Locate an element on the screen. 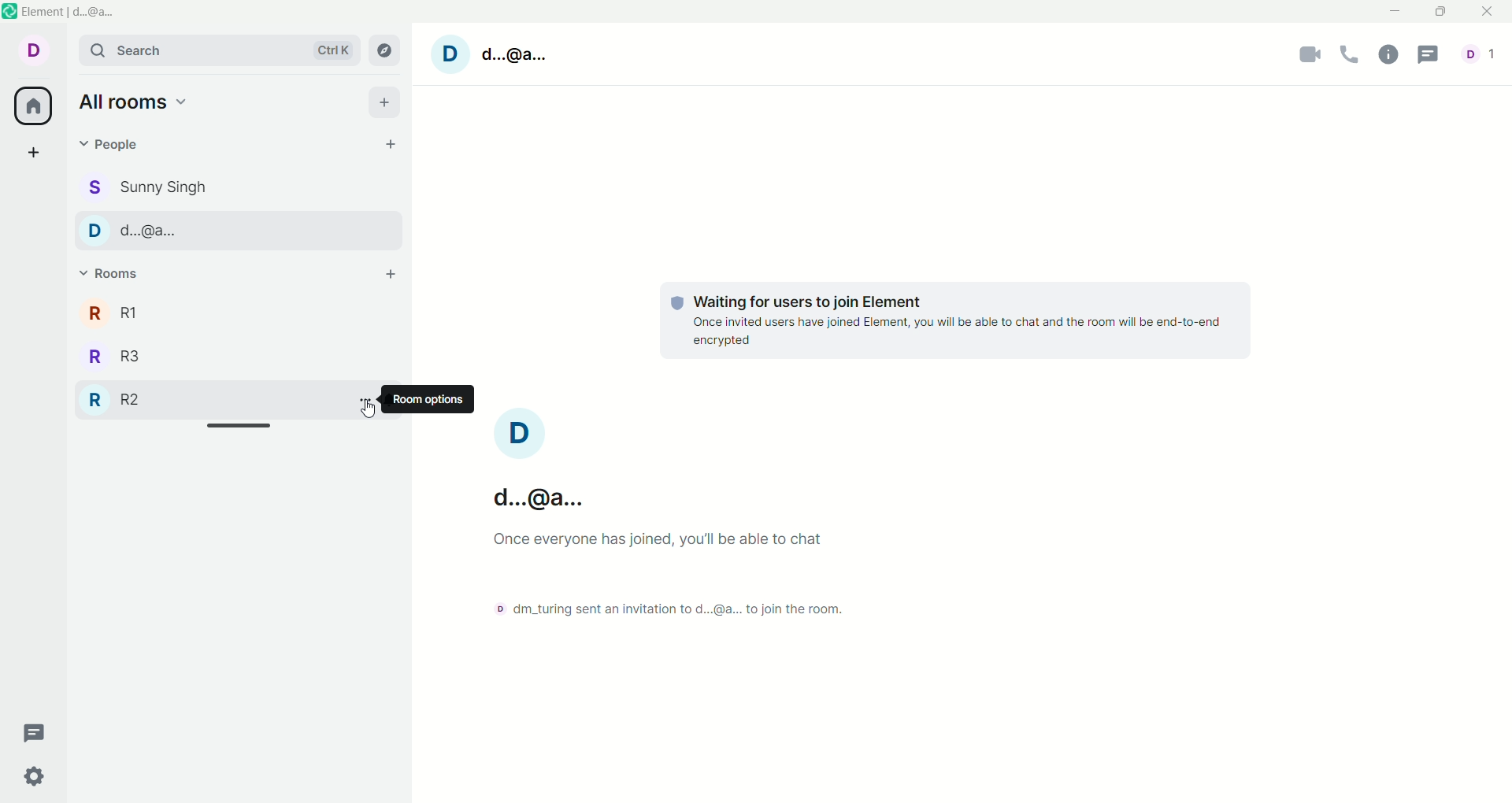 Image resolution: width=1512 pixels, height=803 pixels. people is located at coordinates (147, 187).